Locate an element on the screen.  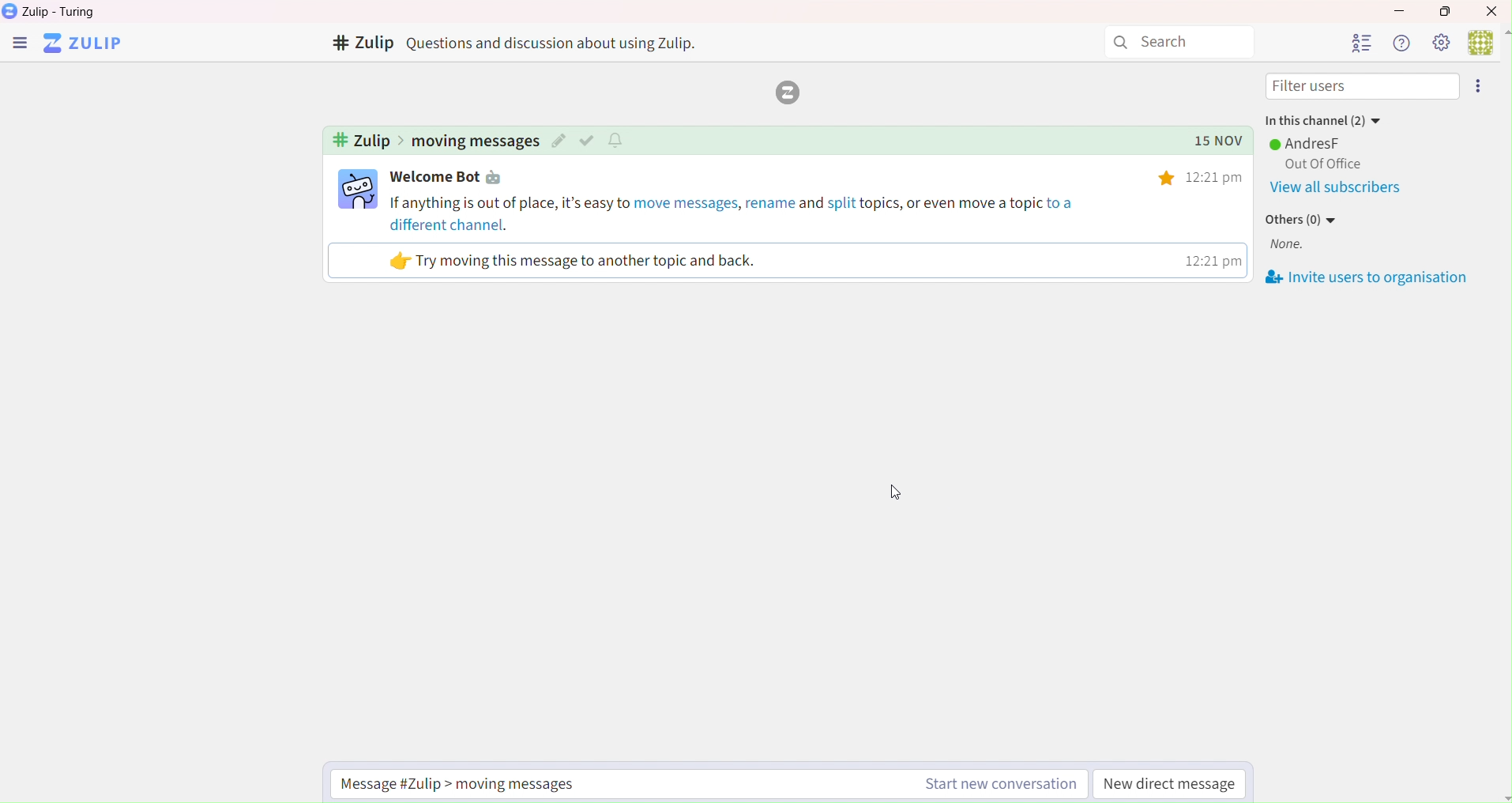
menu is located at coordinates (1481, 86).